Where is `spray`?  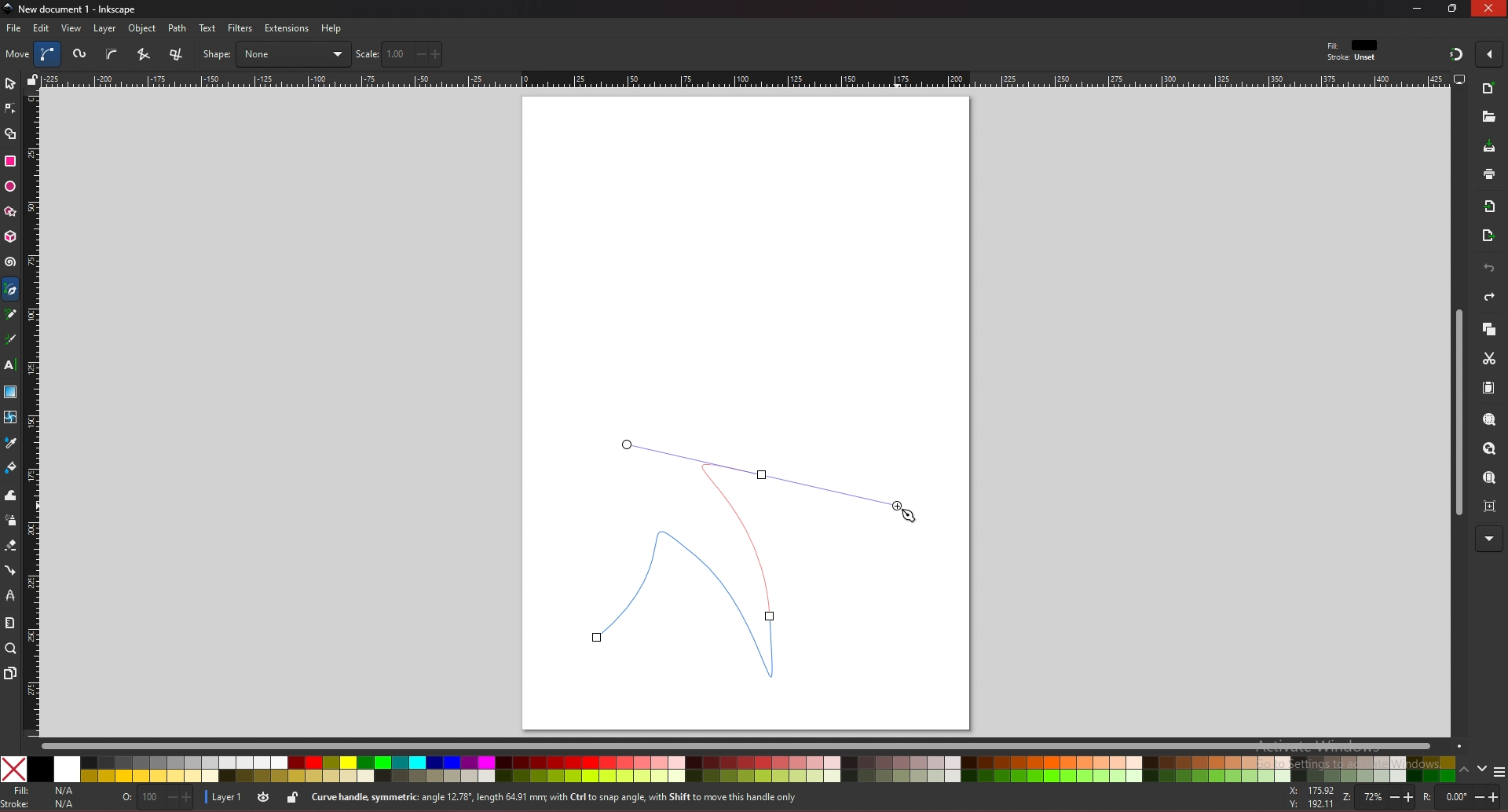 spray is located at coordinates (10, 521).